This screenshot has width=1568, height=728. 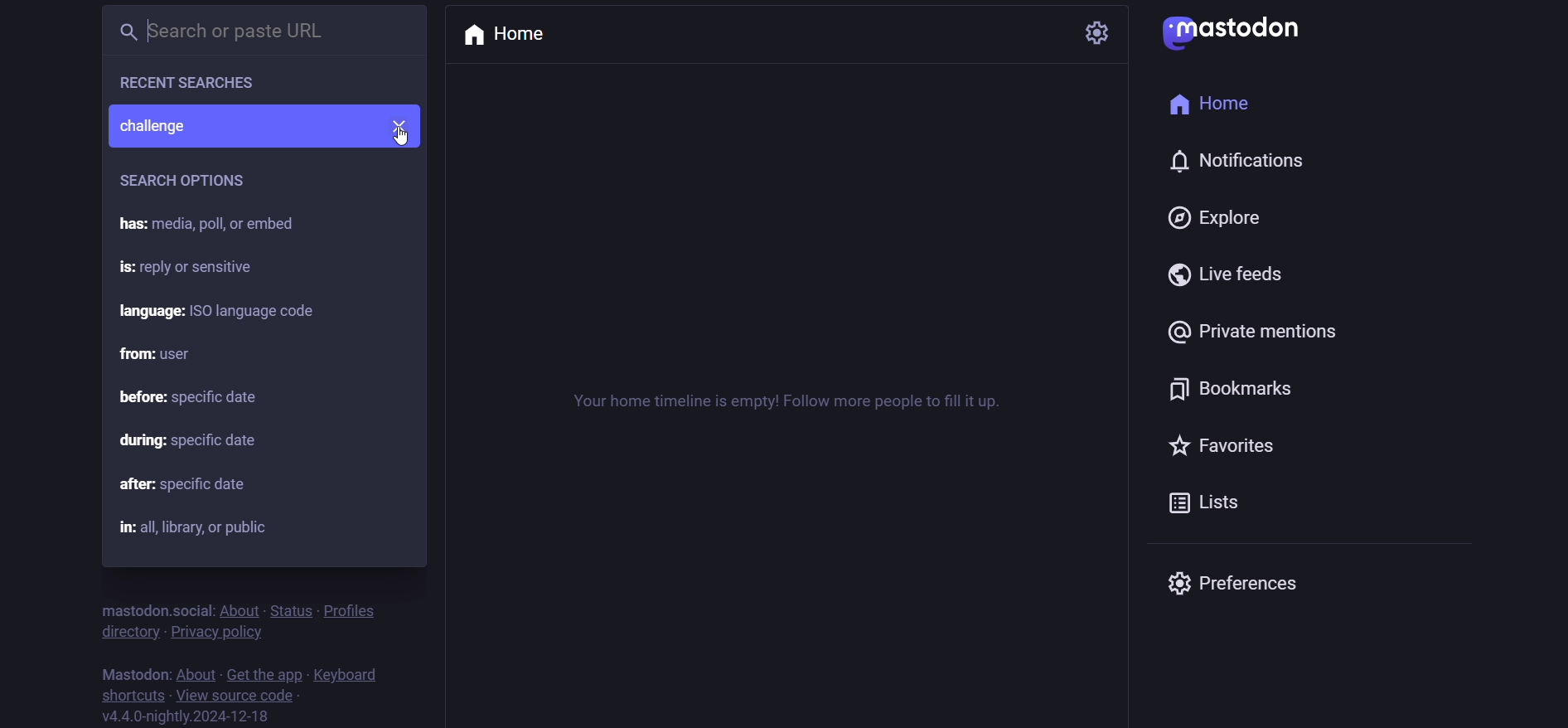 What do you see at coordinates (133, 696) in the screenshot?
I see `shortcut` at bounding box center [133, 696].